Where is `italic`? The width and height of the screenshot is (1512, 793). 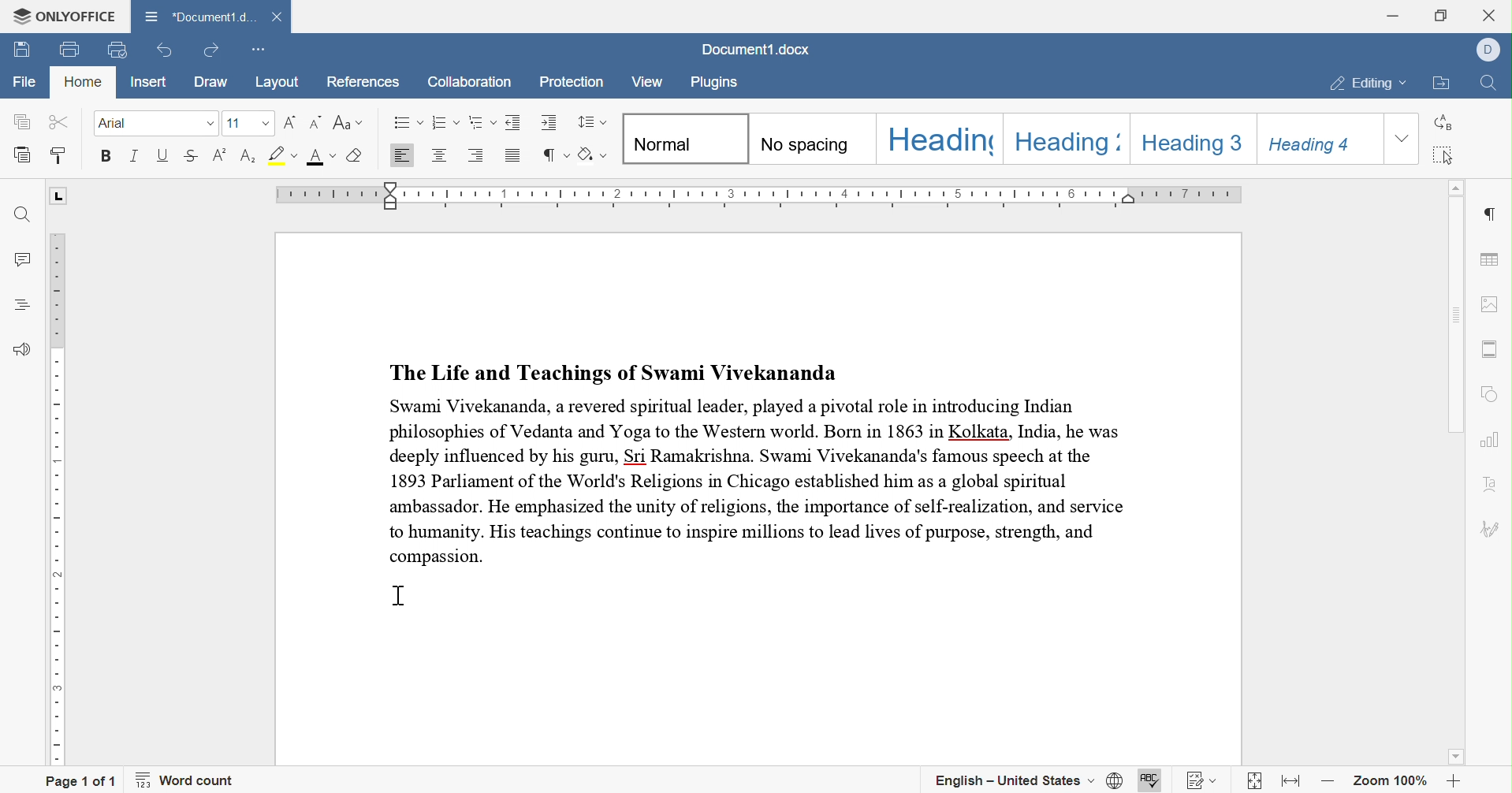
italic is located at coordinates (136, 156).